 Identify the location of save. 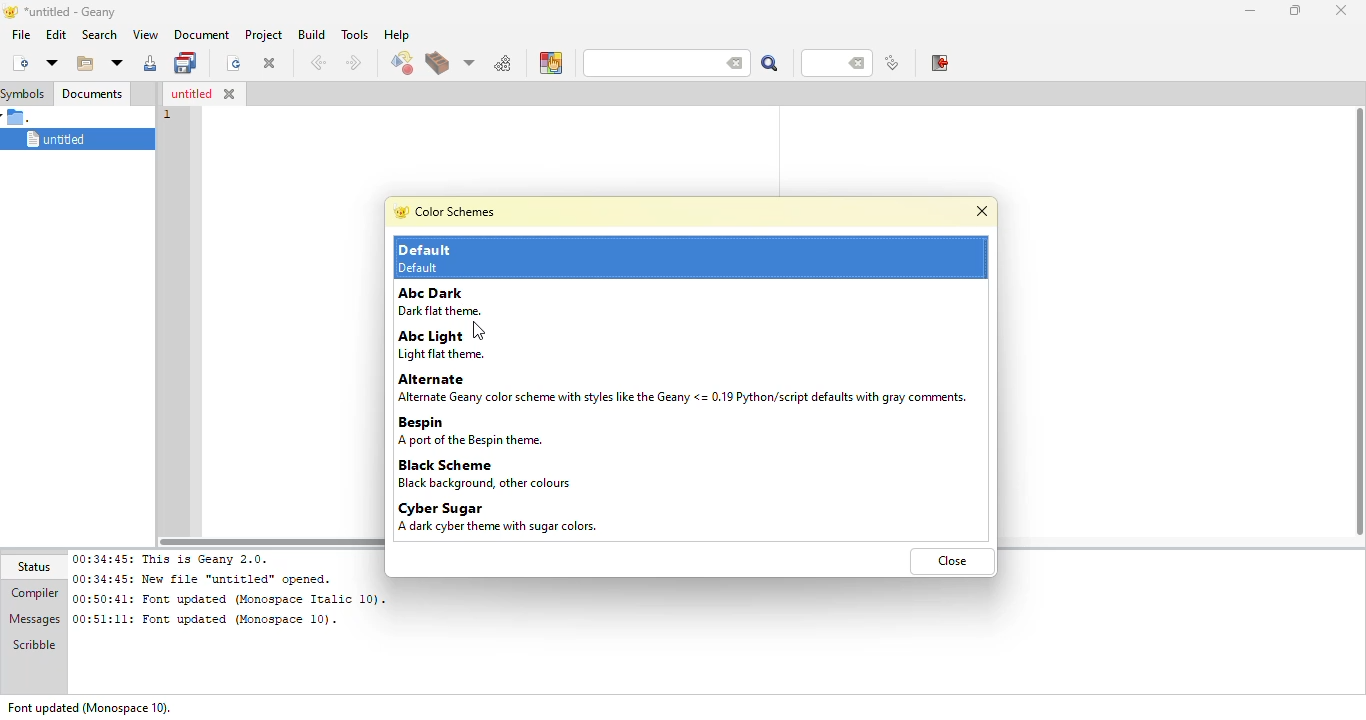
(149, 65).